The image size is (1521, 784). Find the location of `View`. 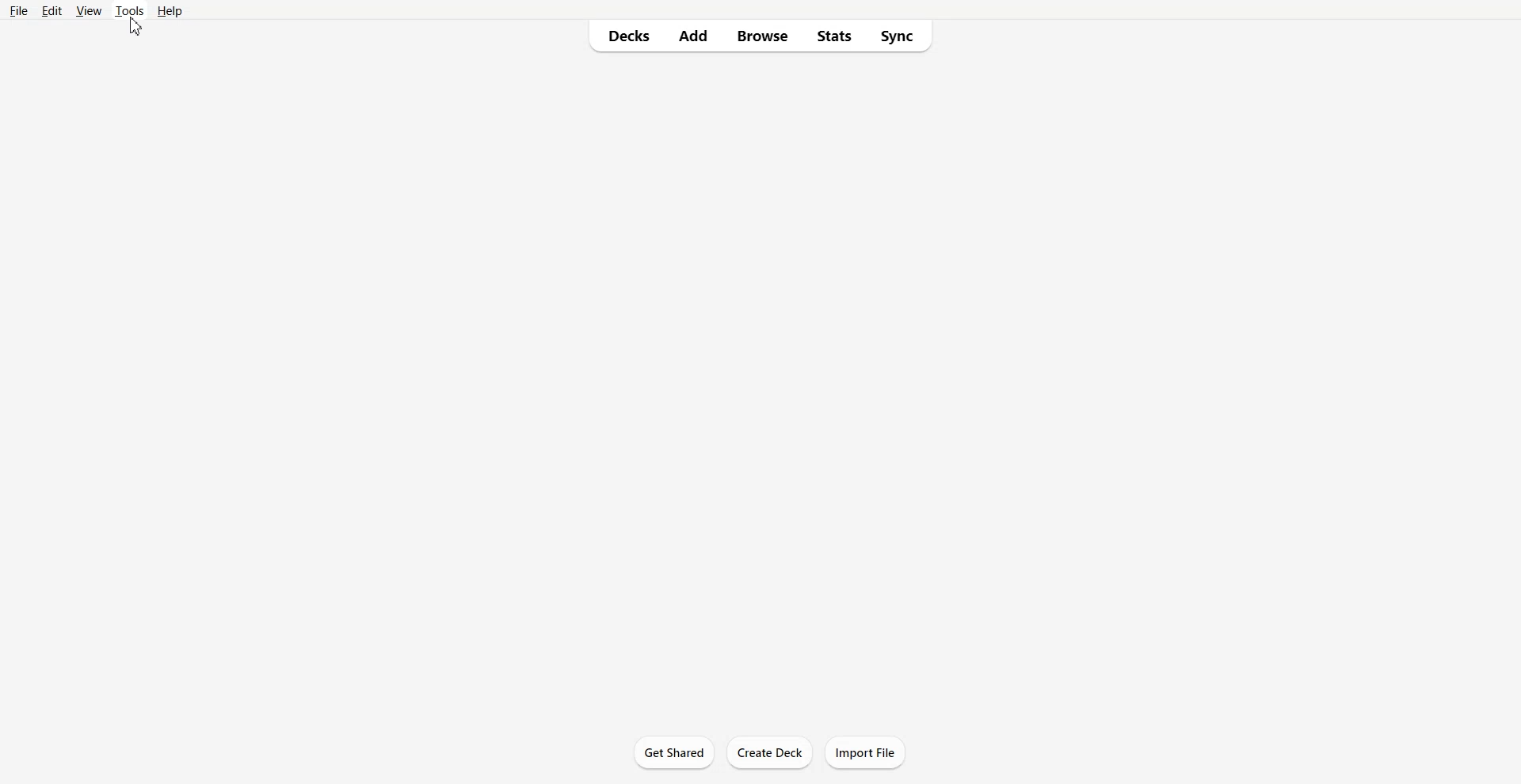

View is located at coordinates (88, 11).